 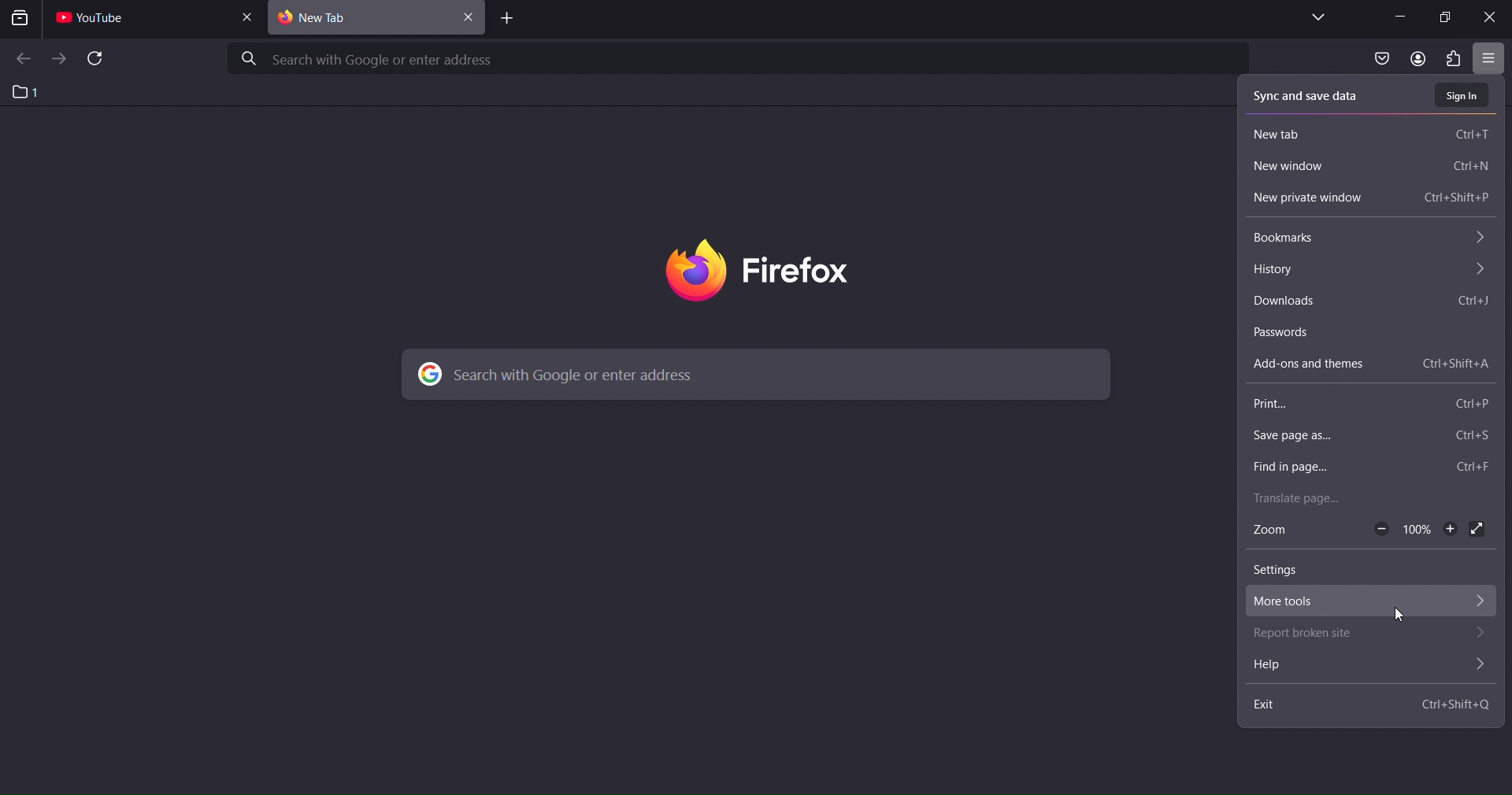 I want to click on new tab, so click(x=361, y=19).